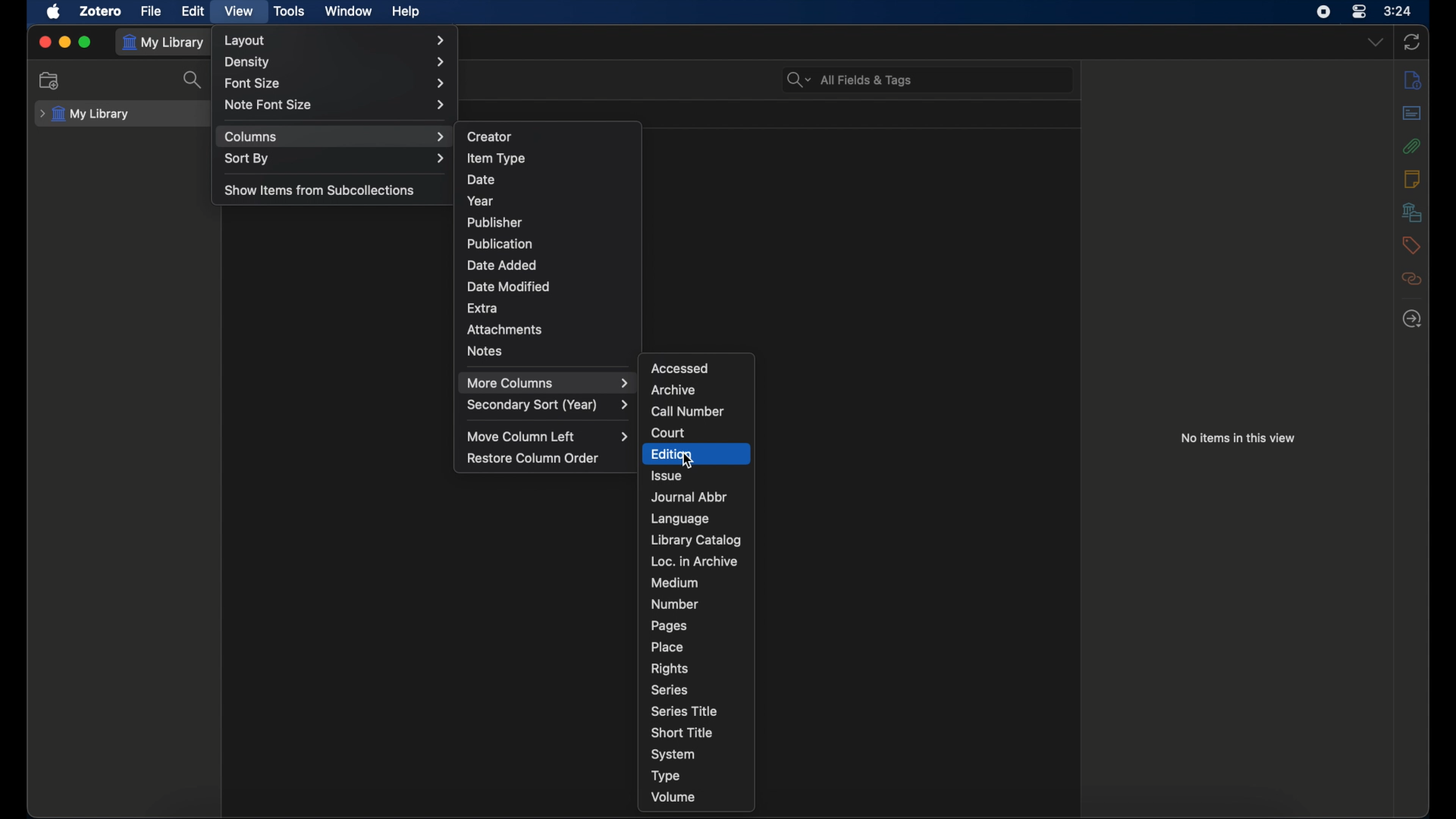 This screenshot has height=819, width=1456. Describe the element at coordinates (483, 308) in the screenshot. I see `extra` at that location.